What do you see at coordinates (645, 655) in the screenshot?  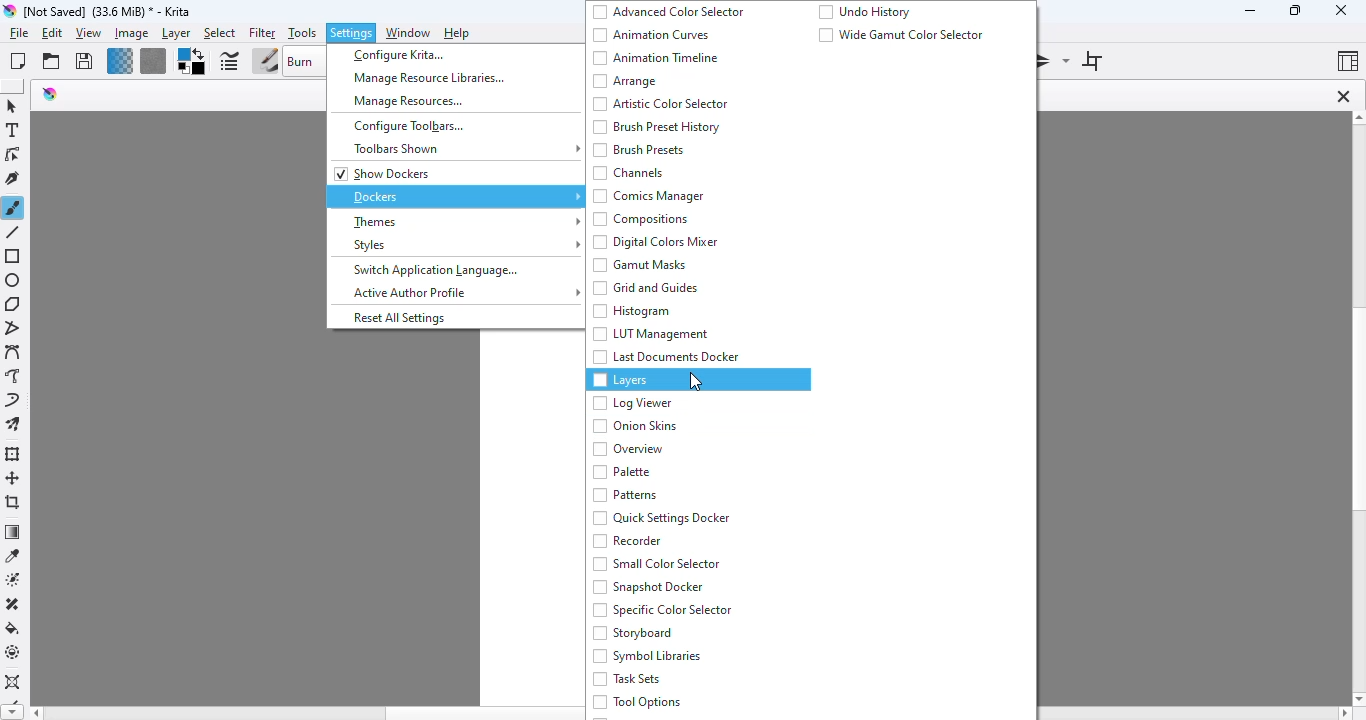 I see `symbol libraries` at bounding box center [645, 655].